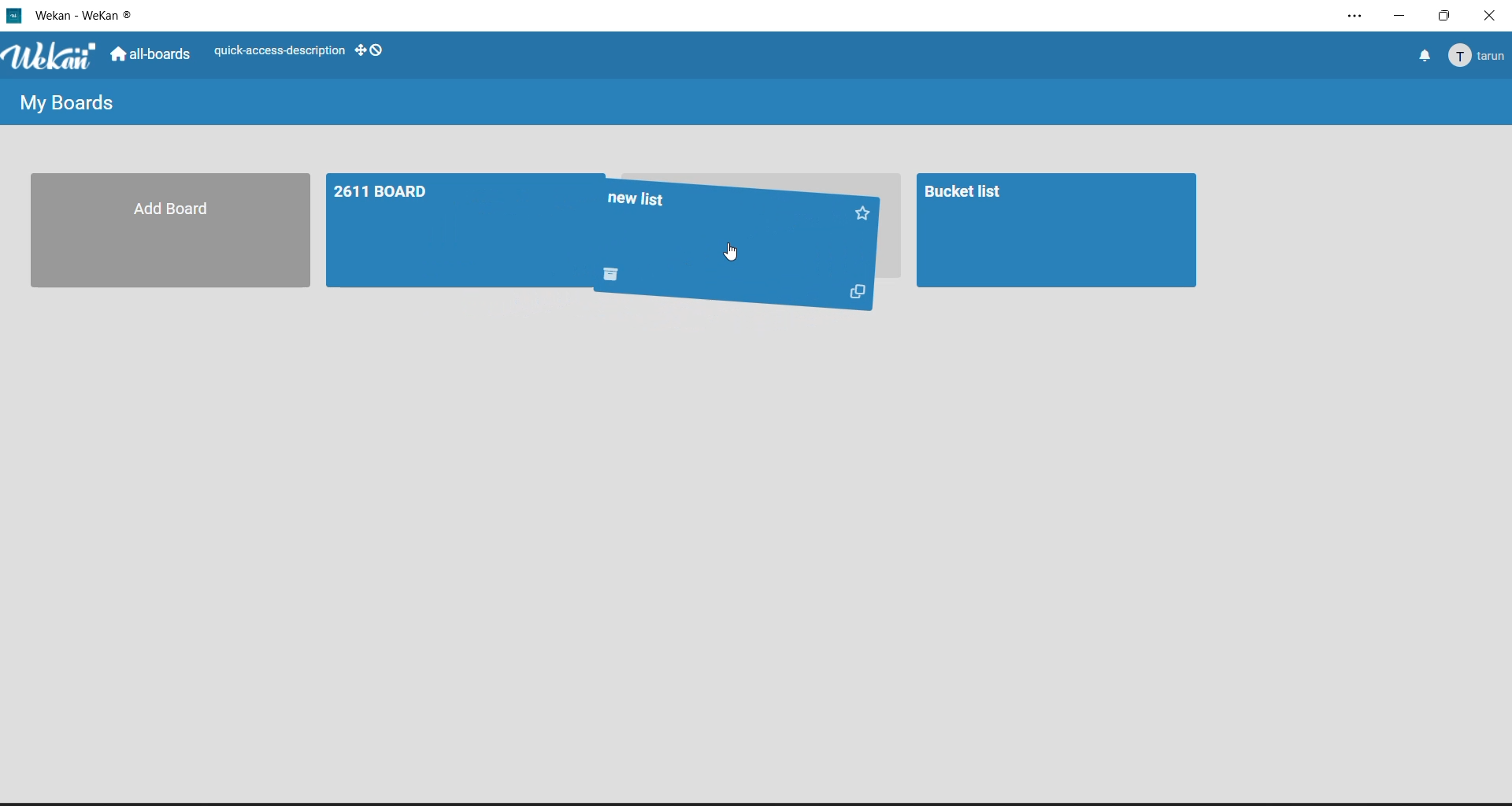 This screenshot has height=806, width=1512. I want to click on board moved, so click(725, 220).